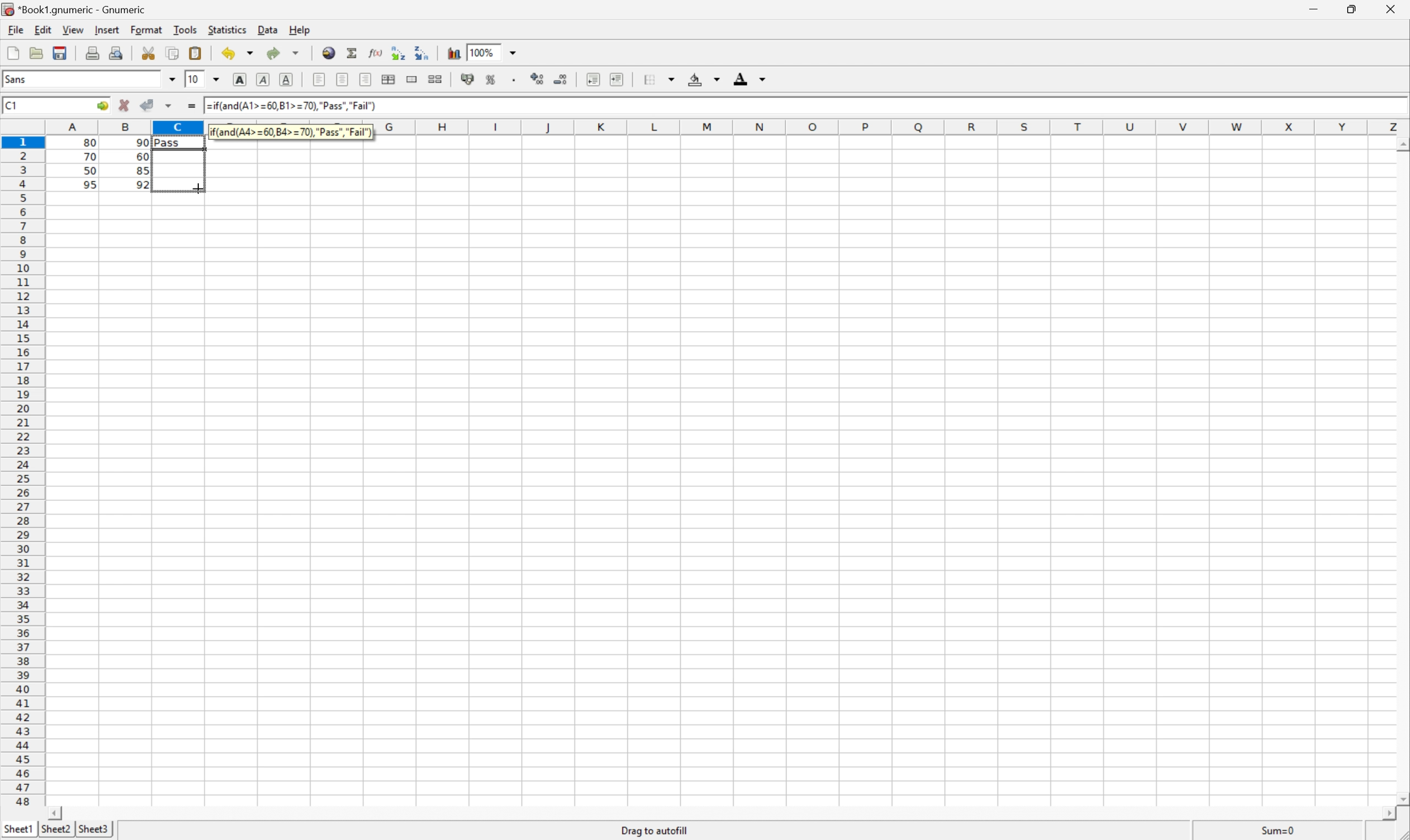 The image size is (1410, 840). Describe the element at coordinates (117, 53) in the screenshot. I see `Print preview` at that location.